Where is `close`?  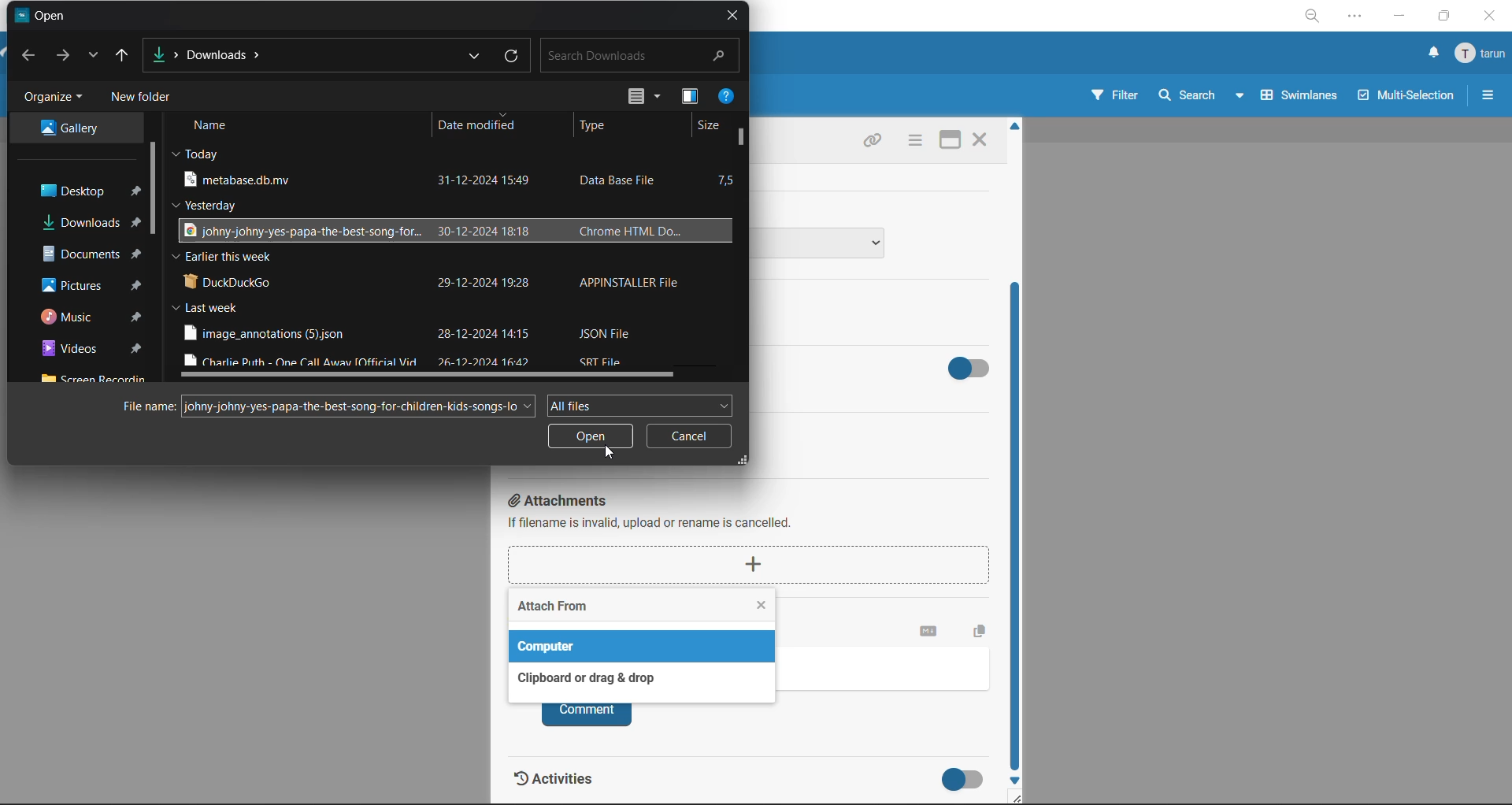 close is located at coordinates (733, 17).